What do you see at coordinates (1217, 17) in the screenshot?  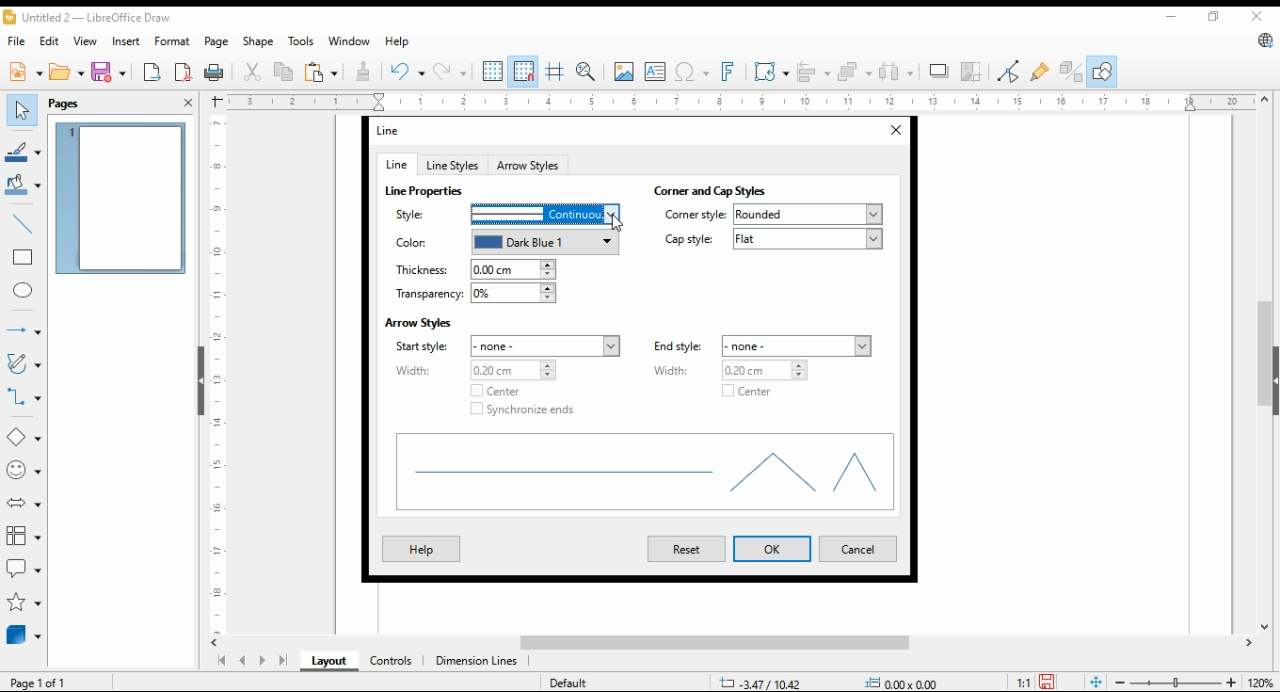 I see `restore` at bounding box center [1217, 17].